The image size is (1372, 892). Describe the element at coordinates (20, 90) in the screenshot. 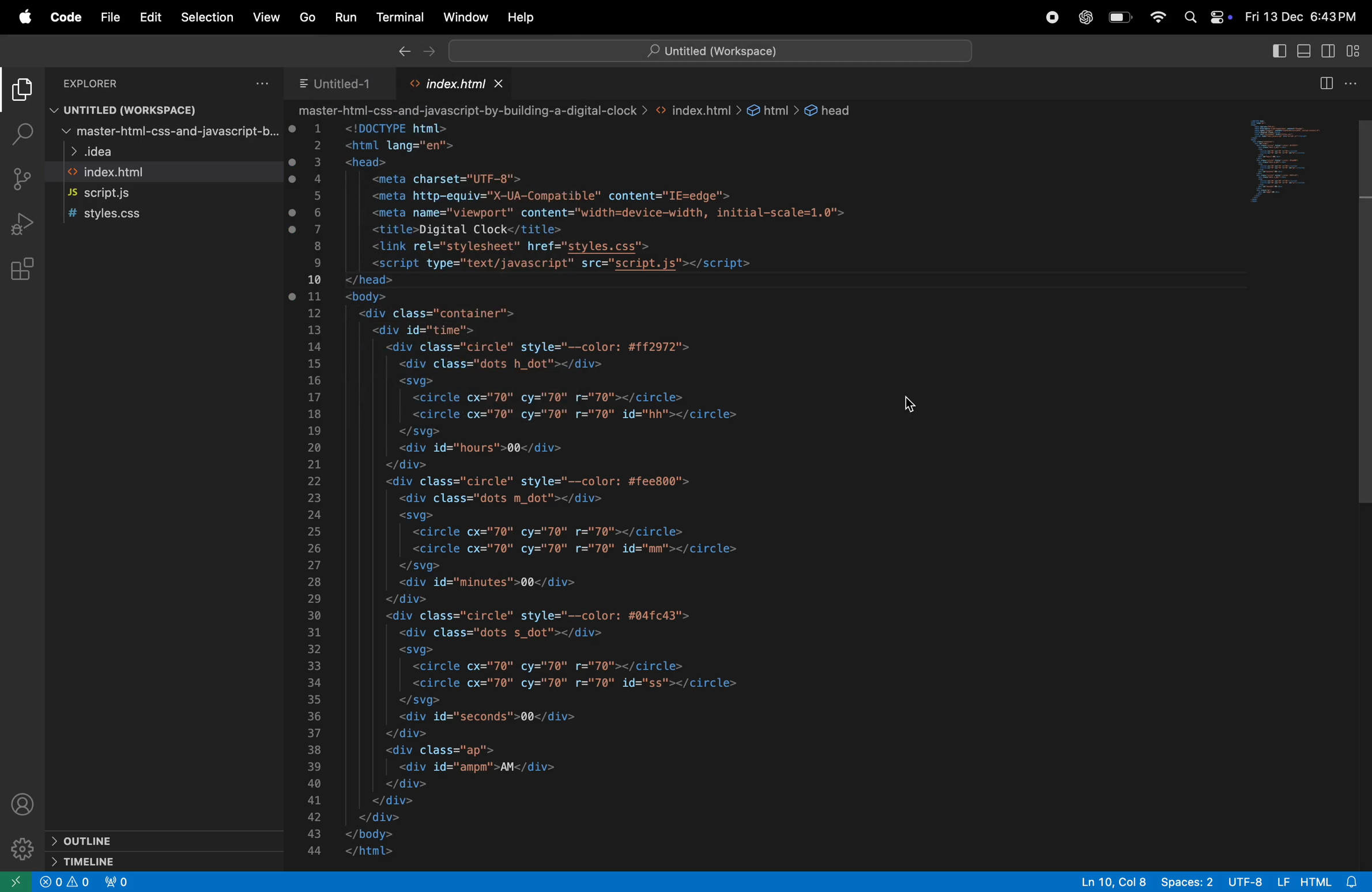

I see `explorer` at that location.